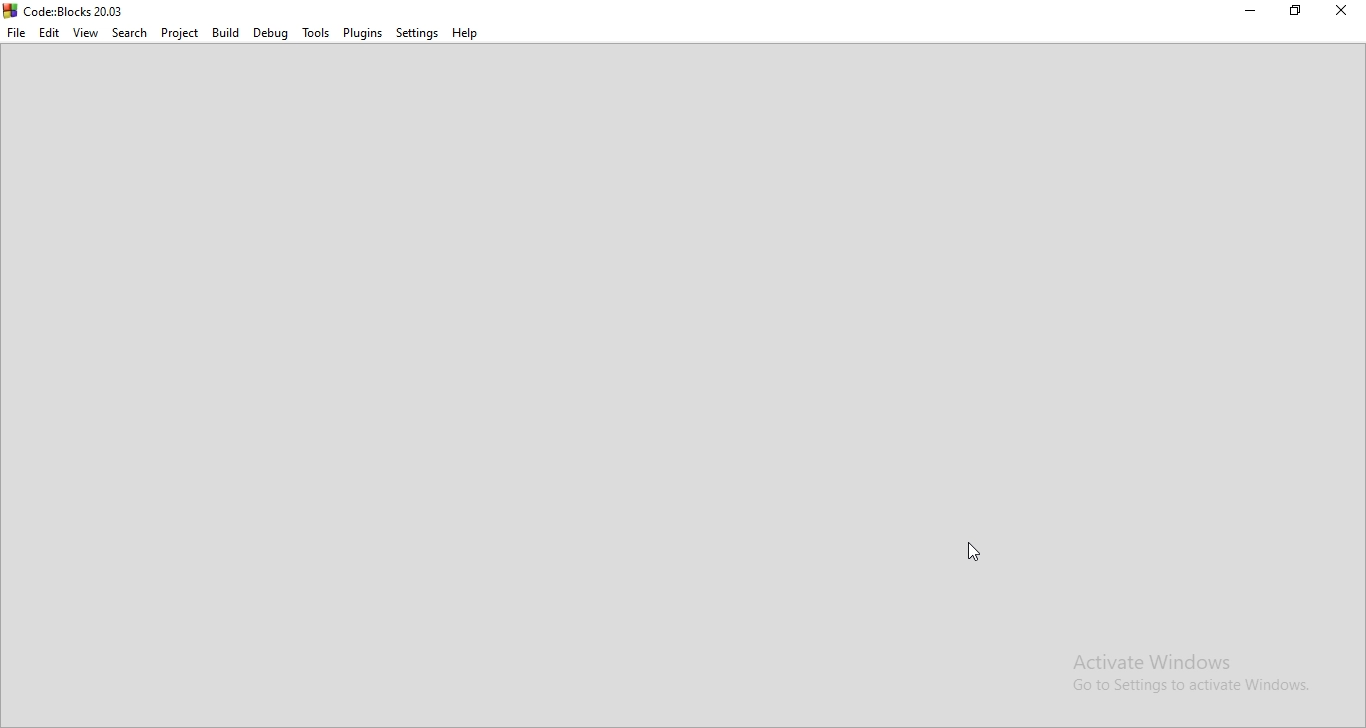 This screenshot has height=728, width=1366. I want to click on Search , so click(129, 32).